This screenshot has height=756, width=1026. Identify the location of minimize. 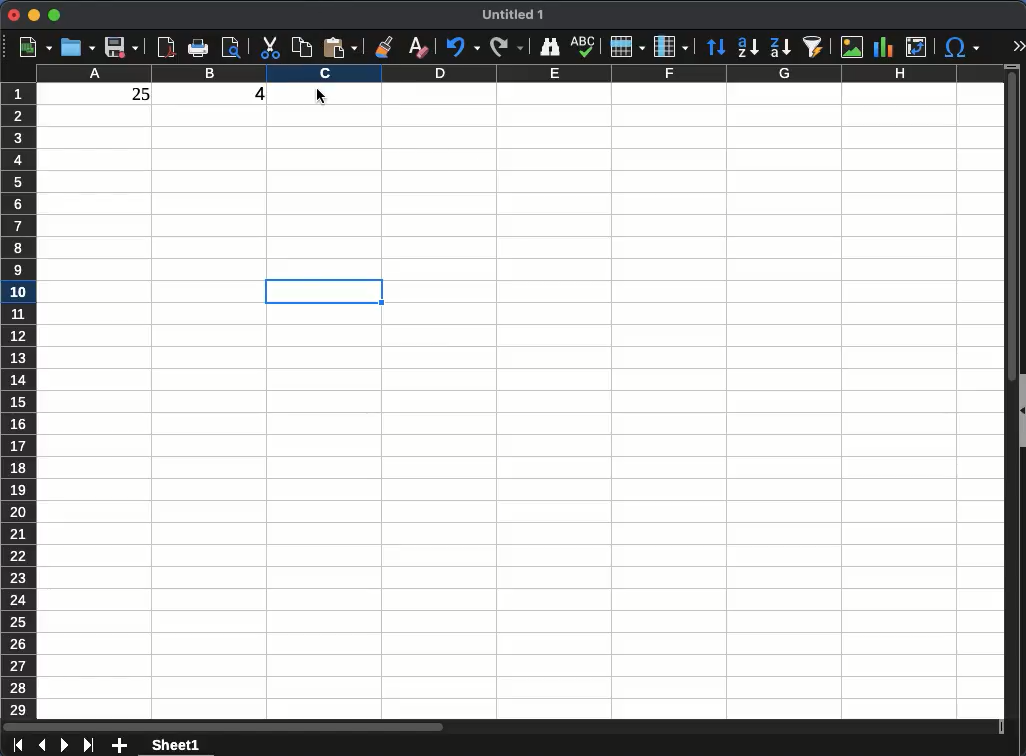
(34, 16).